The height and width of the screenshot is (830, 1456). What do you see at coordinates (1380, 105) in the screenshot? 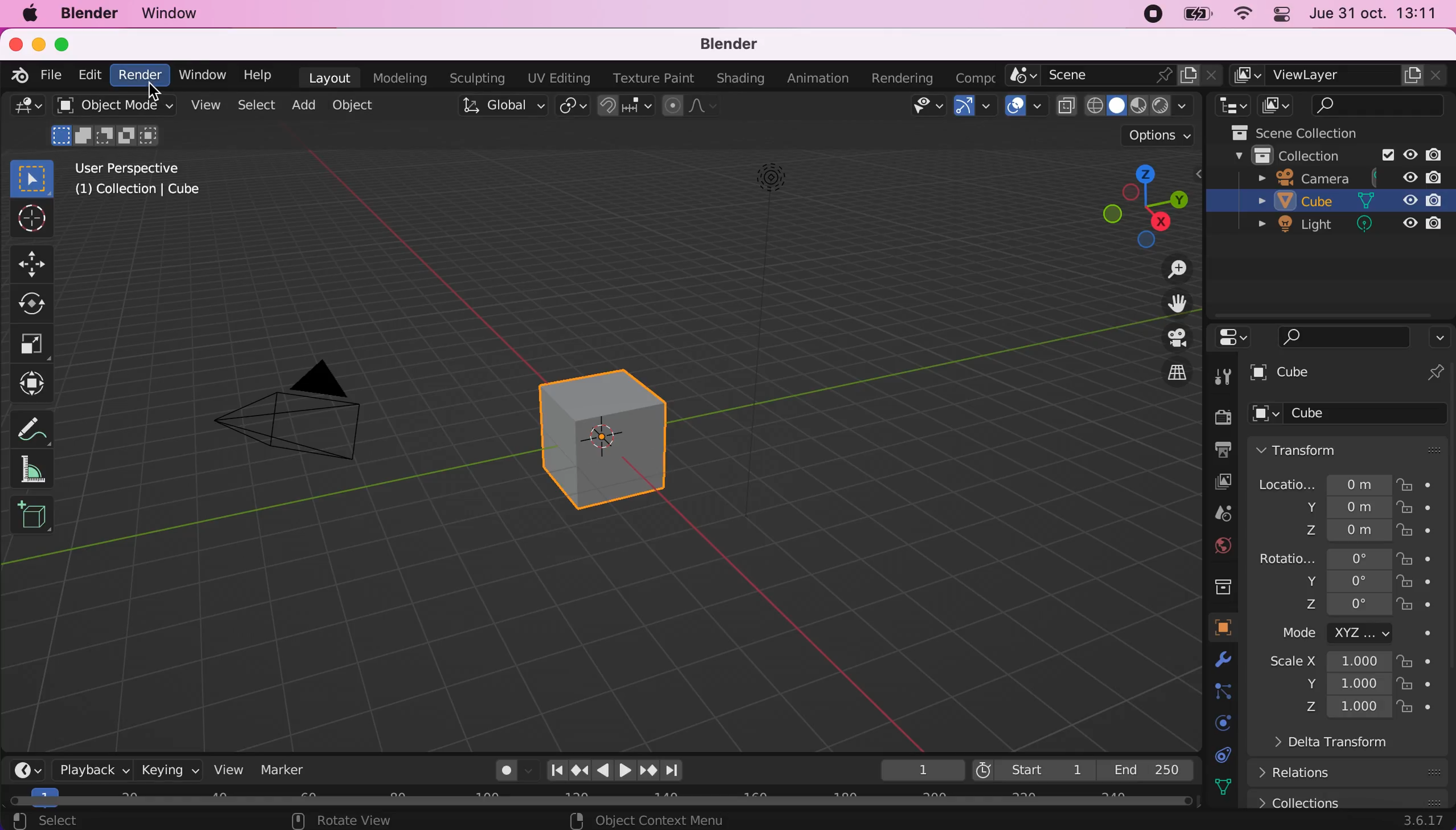
I see `search` at bounding box center [1380, 105].